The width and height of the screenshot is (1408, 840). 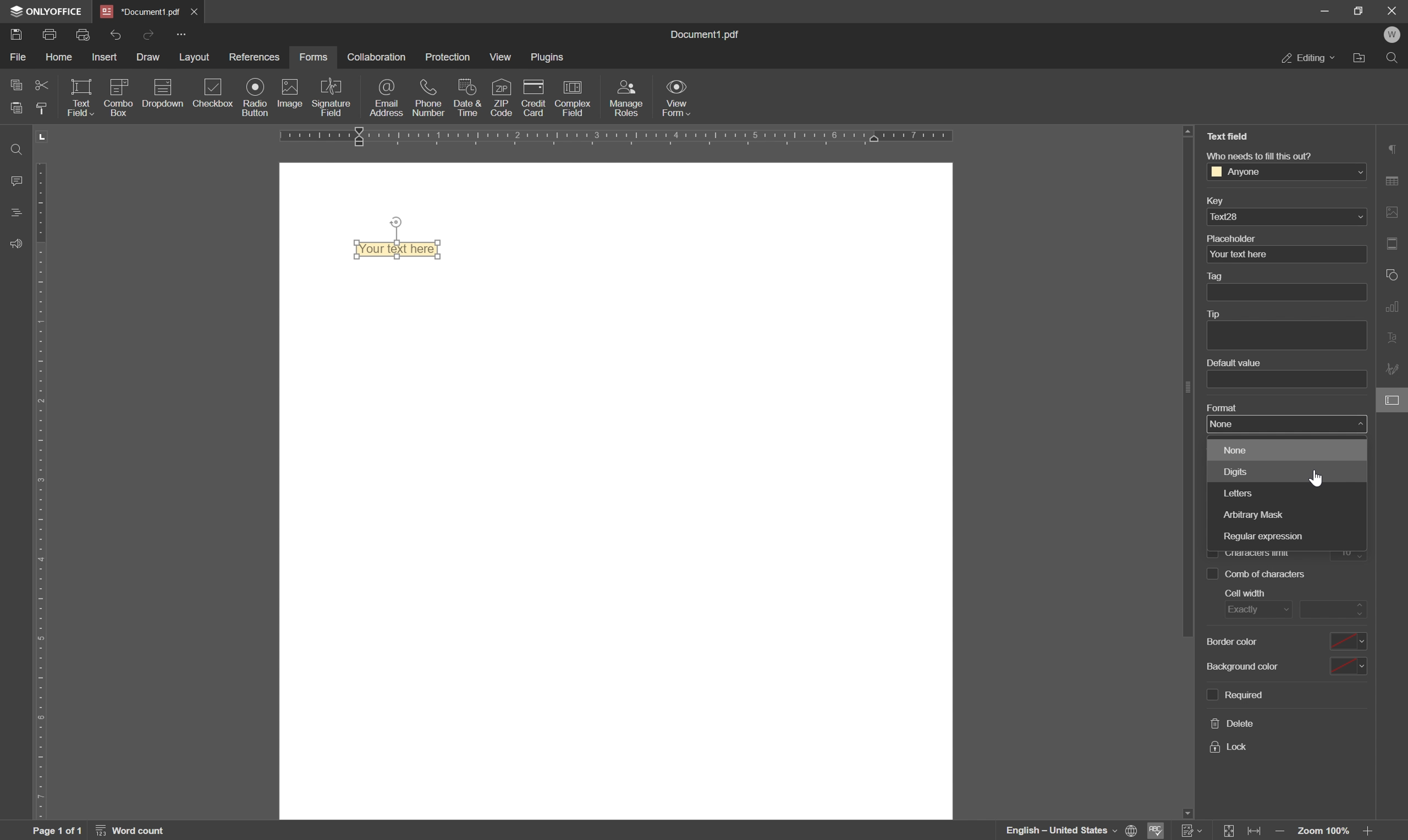 What do you see at coordinates (1257, 575) in the screenshot?
I see `comb of characters` at bounding box center [1257, 575].